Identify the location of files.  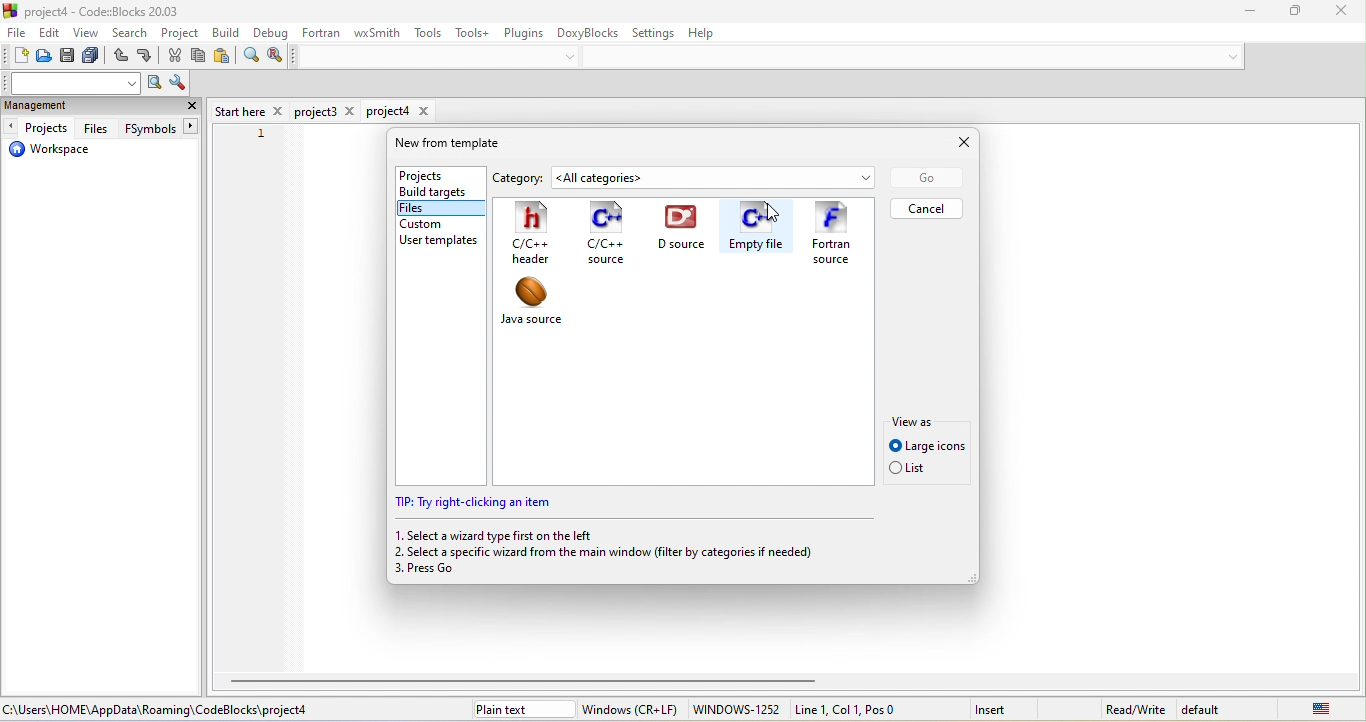
(432, 209).